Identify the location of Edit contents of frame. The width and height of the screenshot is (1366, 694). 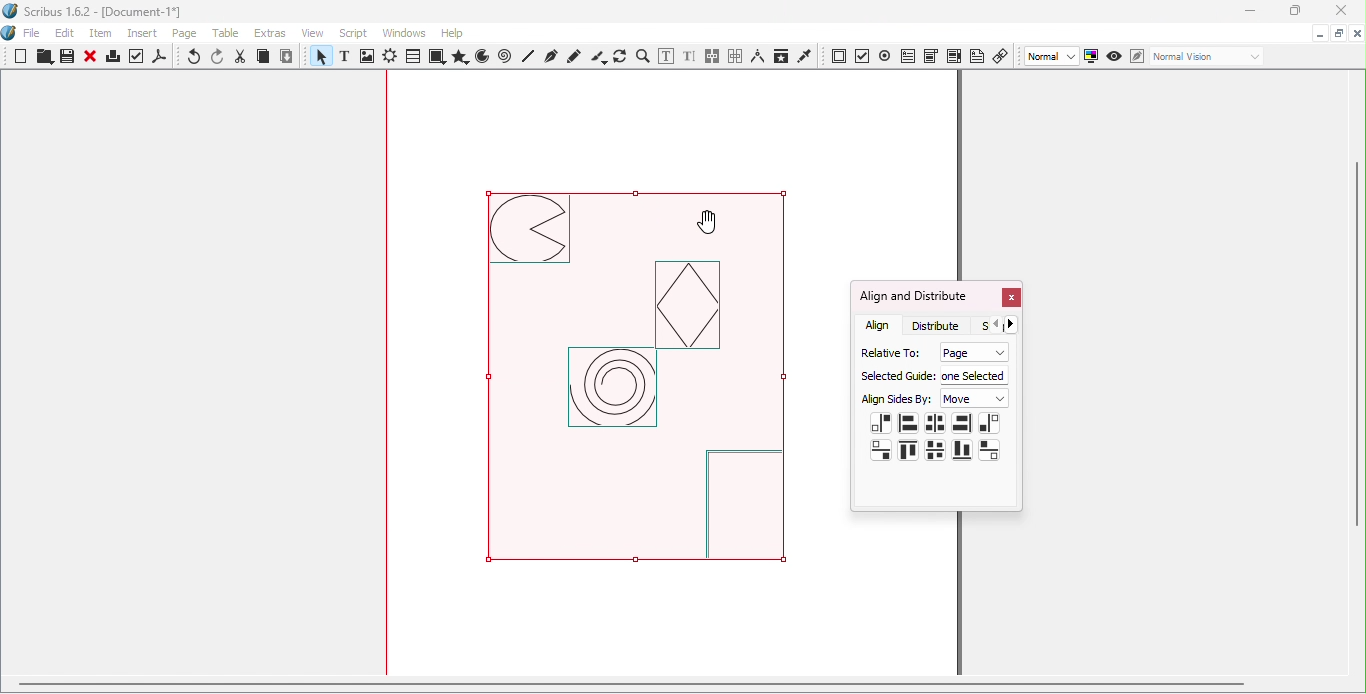
(665, 56).